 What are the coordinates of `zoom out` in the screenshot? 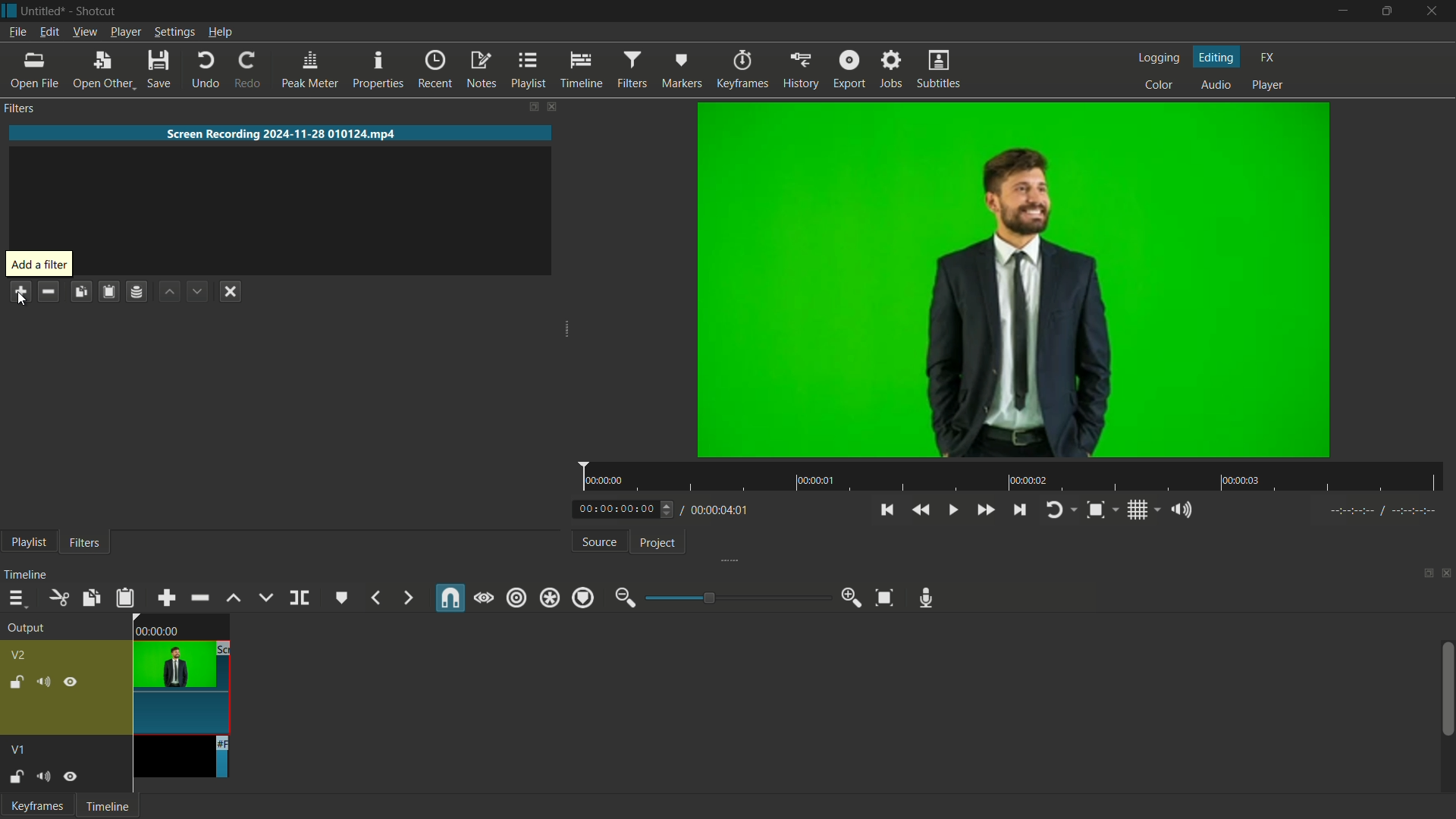 It's located at (624, 598).